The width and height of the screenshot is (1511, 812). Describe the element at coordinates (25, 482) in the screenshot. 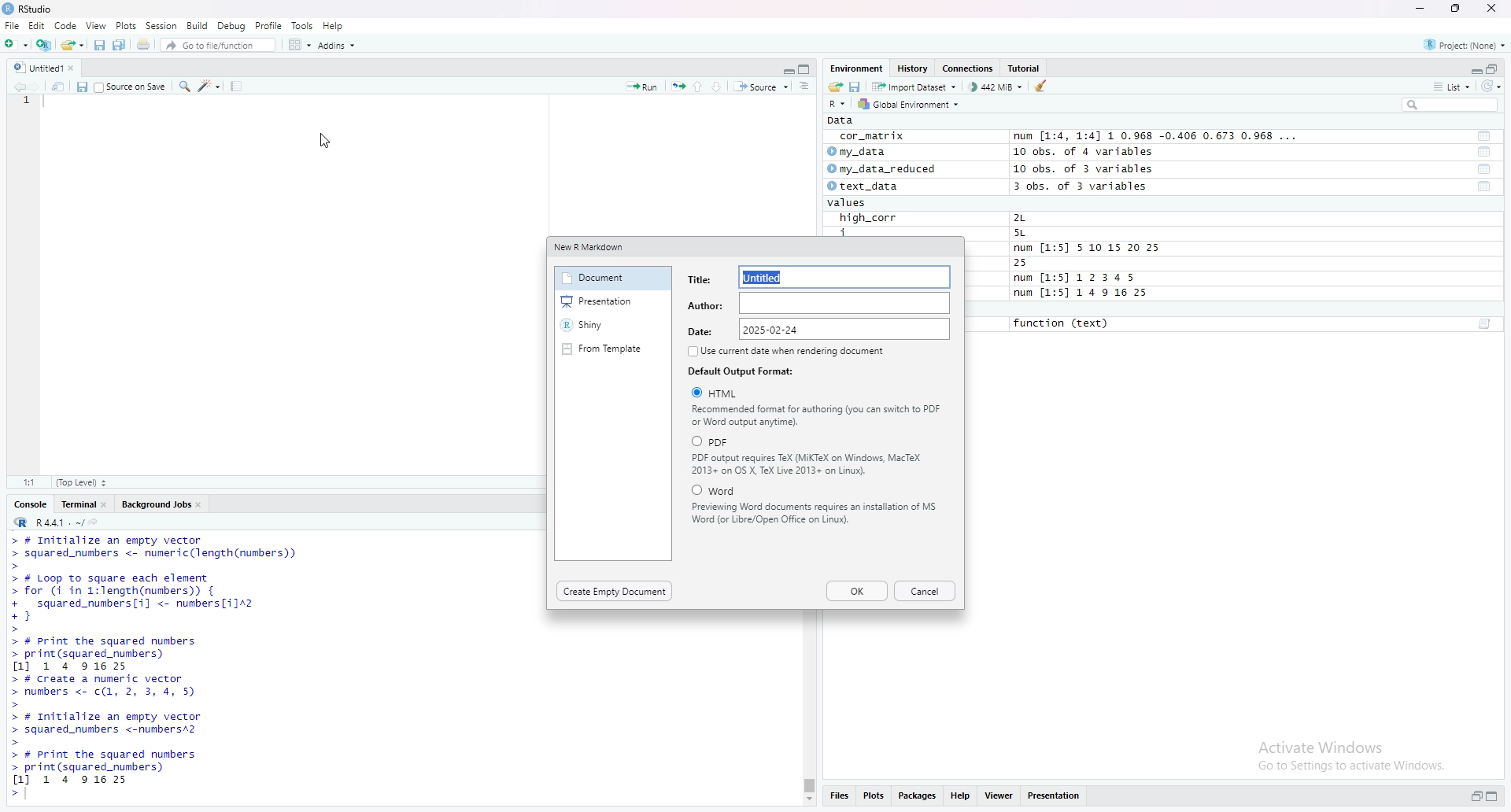

I see `1:1` at that location.